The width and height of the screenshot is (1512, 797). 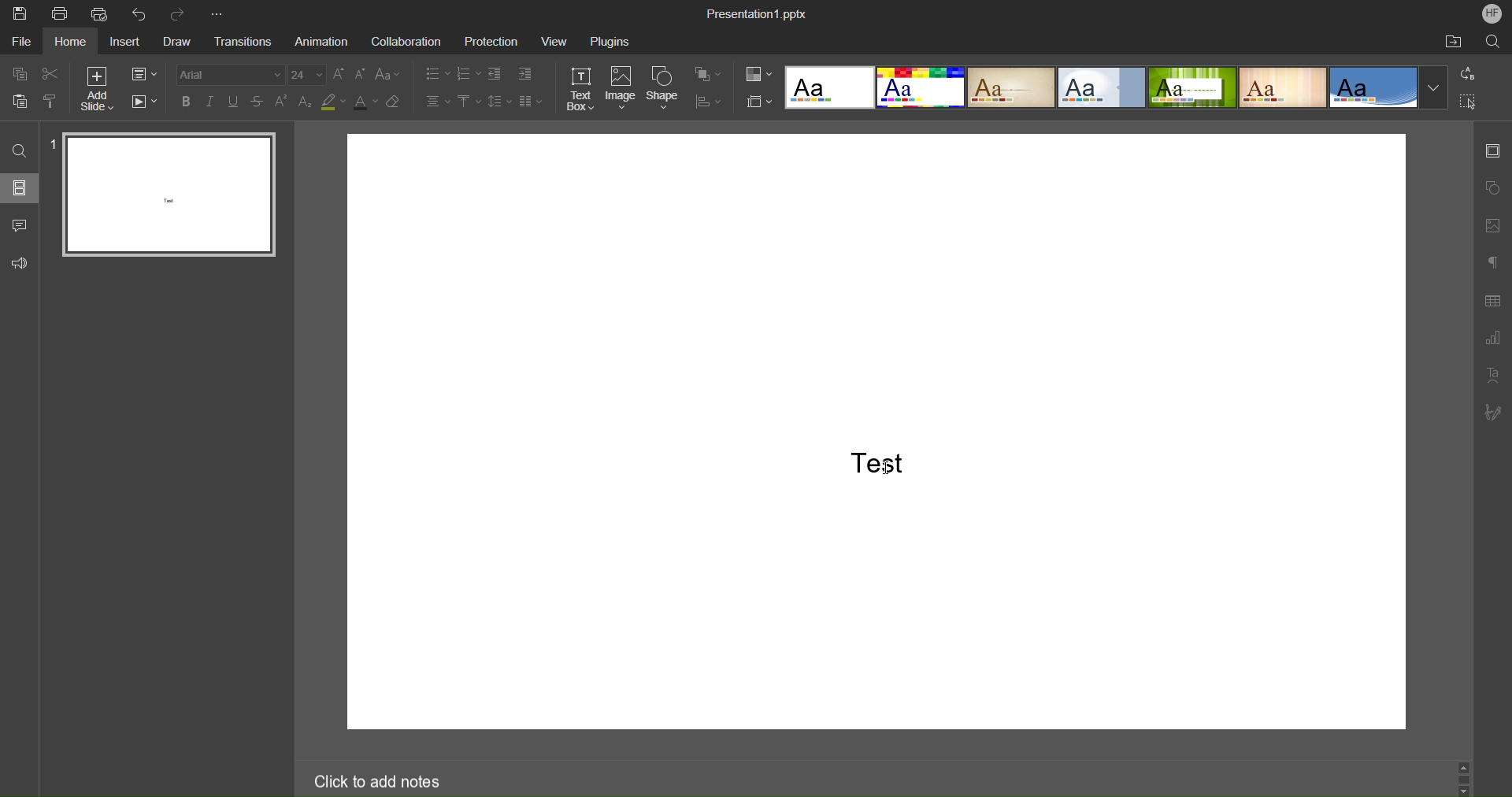 What do you see at coordinates (332, 103) in the screenshot?
I see `Highlight` at bounding box center [332, 103].